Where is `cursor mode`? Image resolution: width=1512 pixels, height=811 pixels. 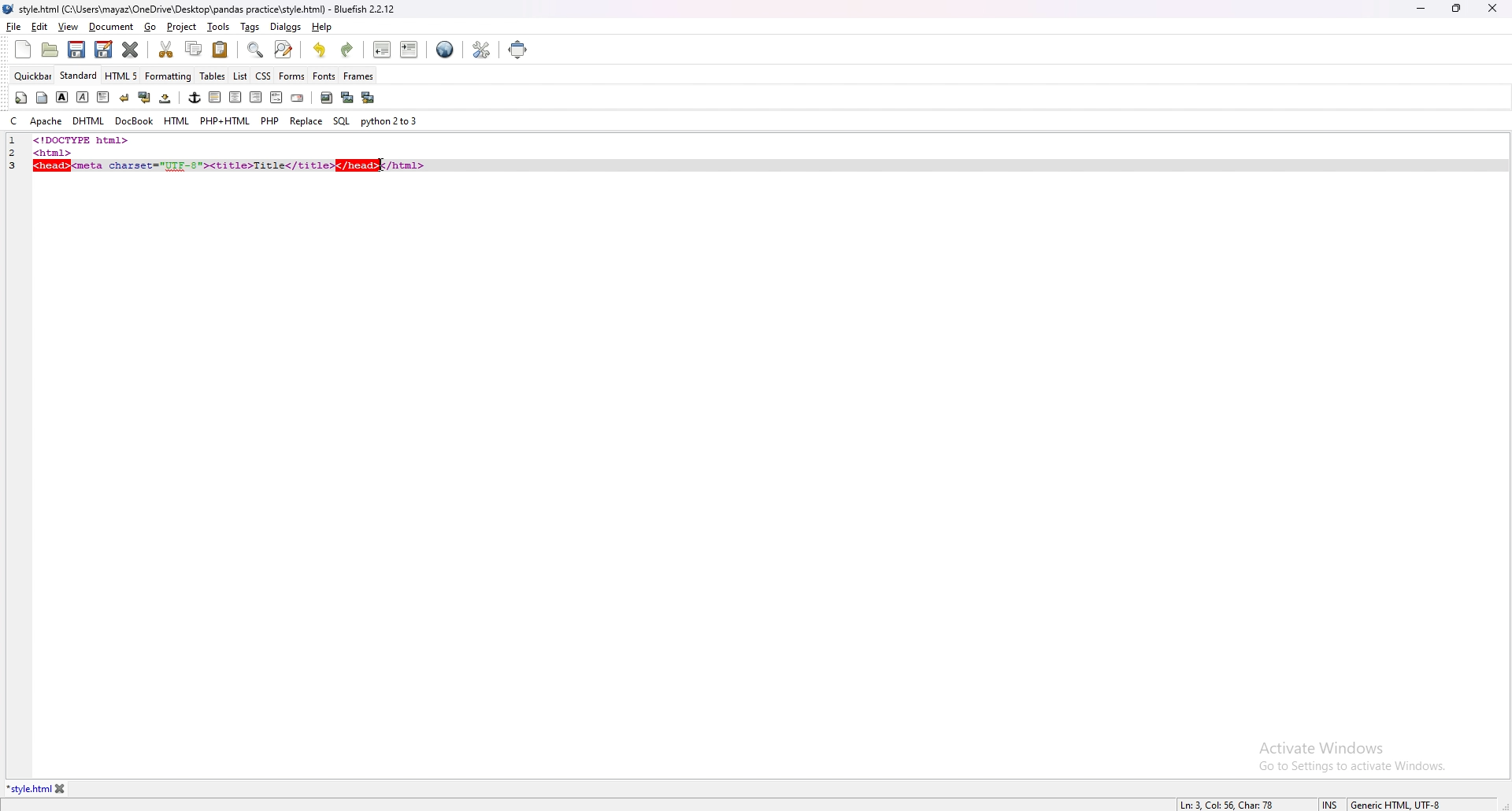
cursor mode is located at coordinates (1330, 804).